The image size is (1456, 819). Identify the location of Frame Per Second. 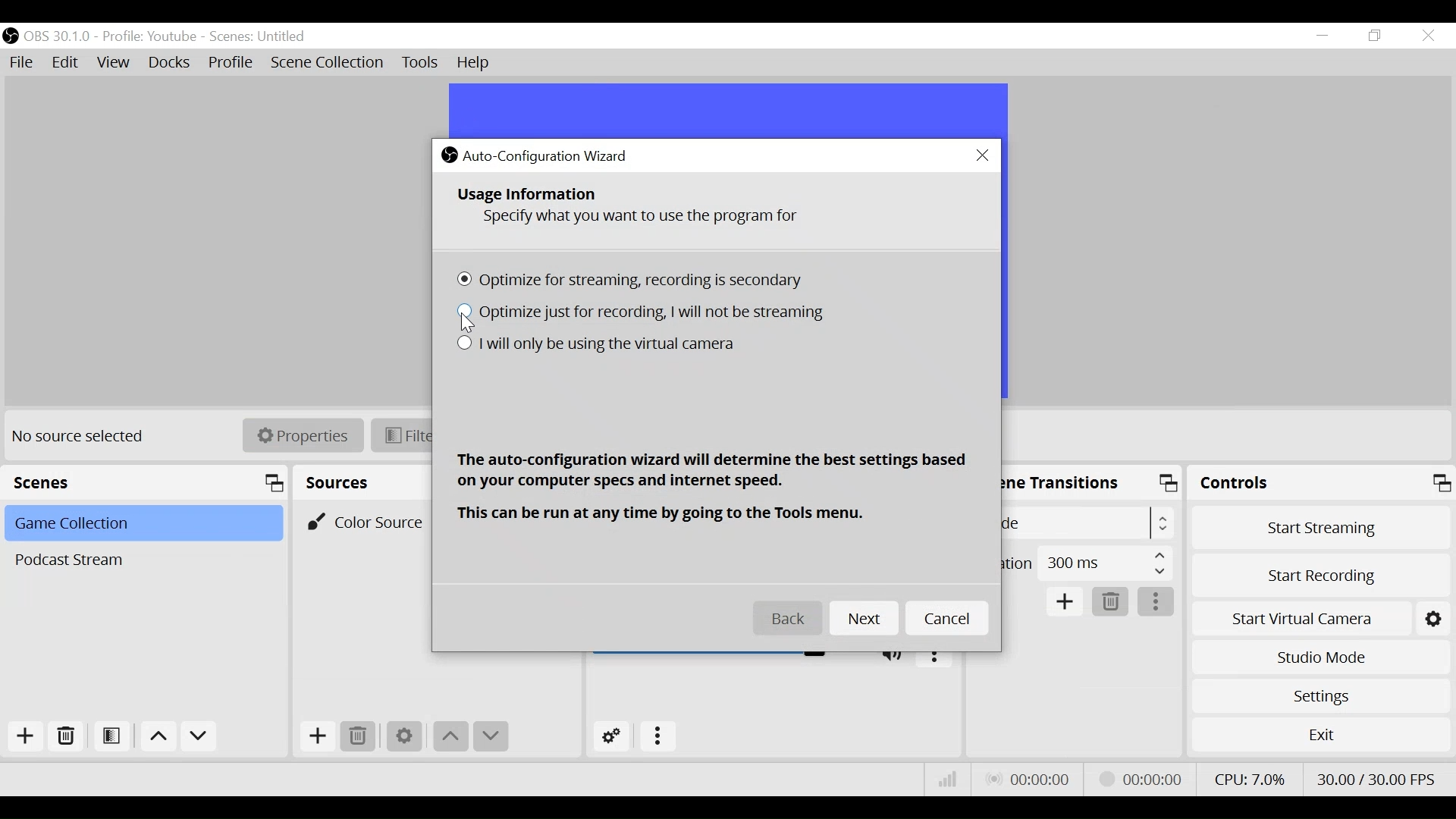
(1377, 779).